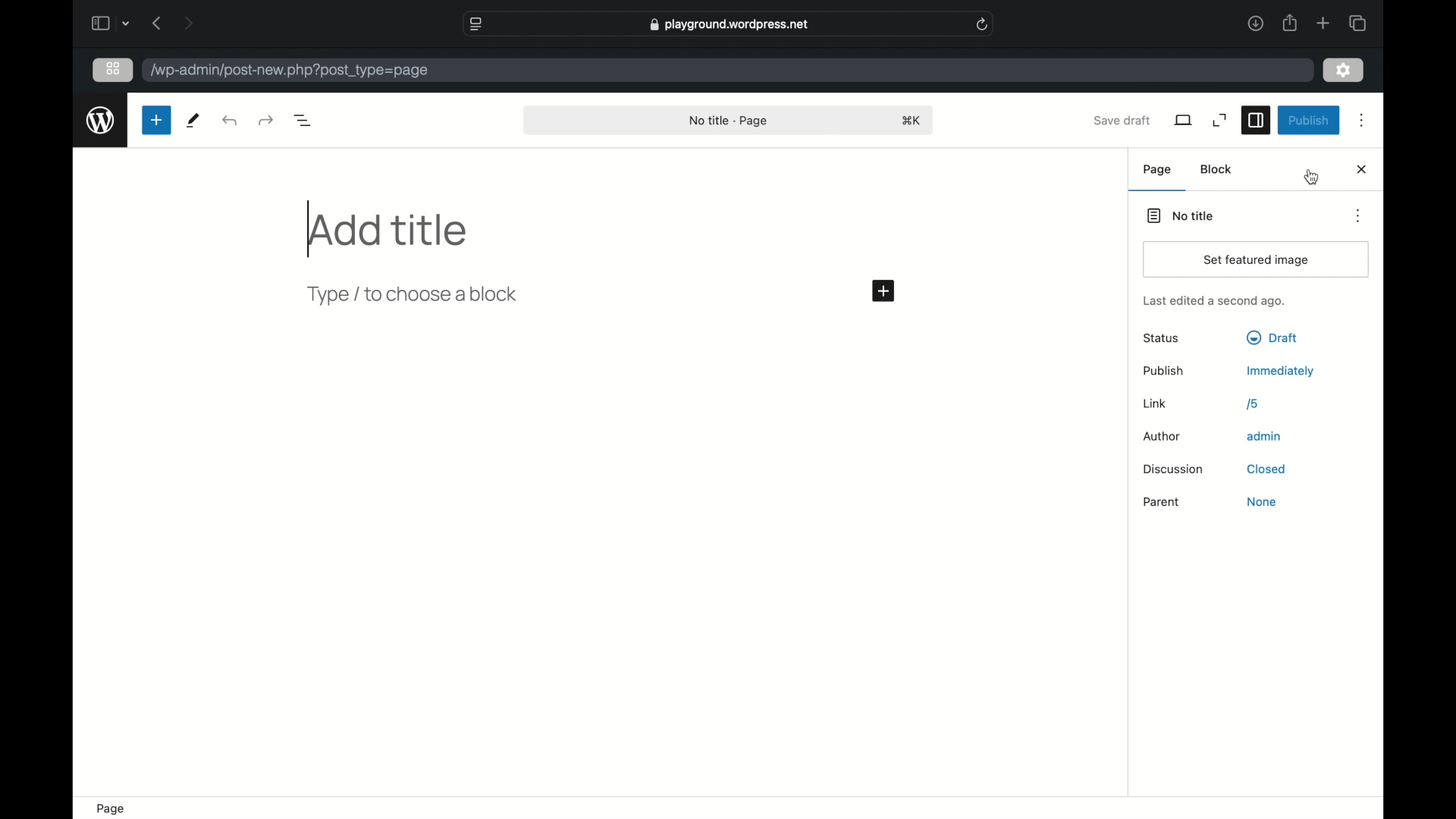 Image resolution: width=1456 pixels, height=819 pixels. What do you see at coordinates (113, 69) in the screenshot?
I see `grid view` at bounding box center [113, 69].